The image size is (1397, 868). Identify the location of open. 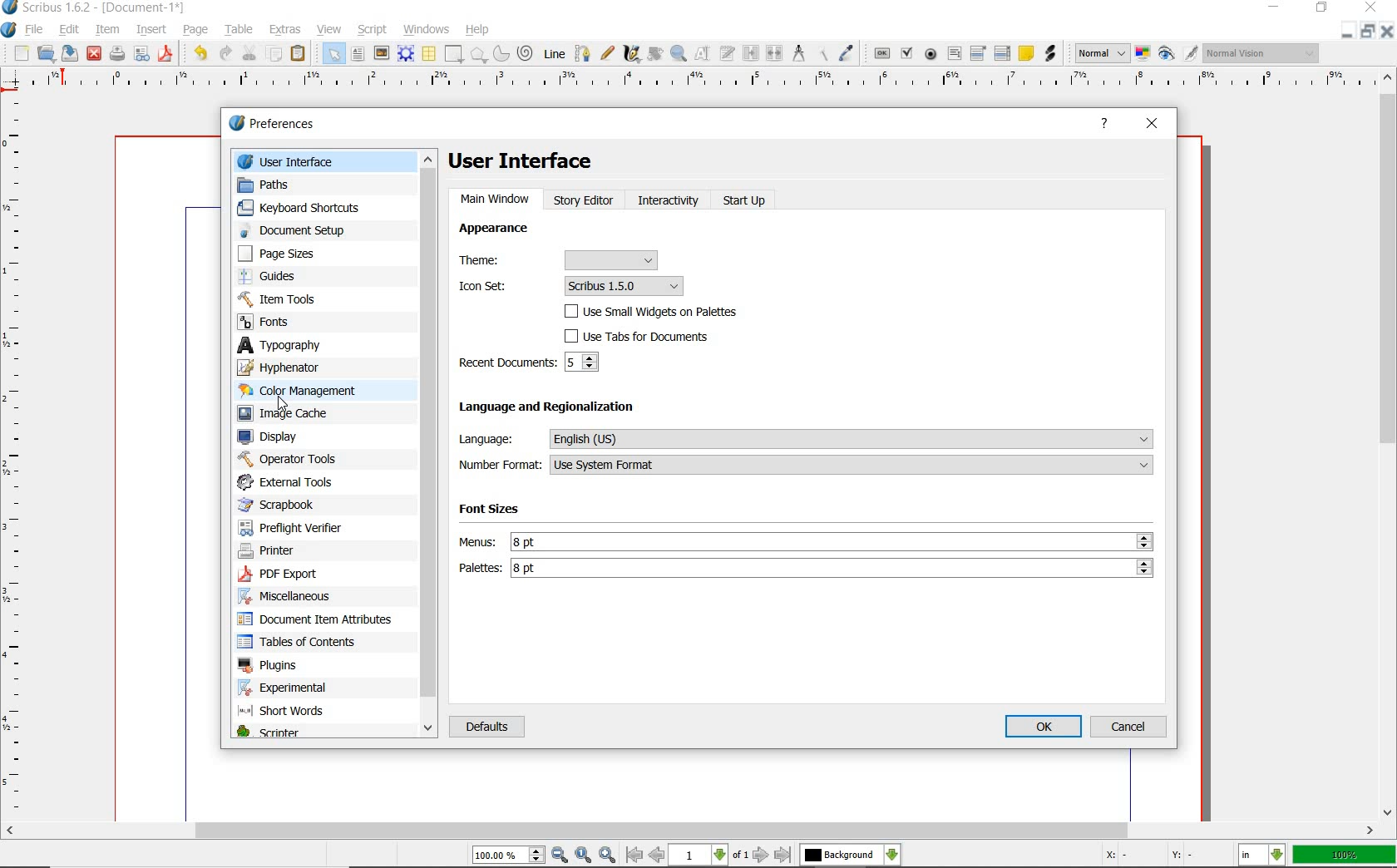
(47, 55).